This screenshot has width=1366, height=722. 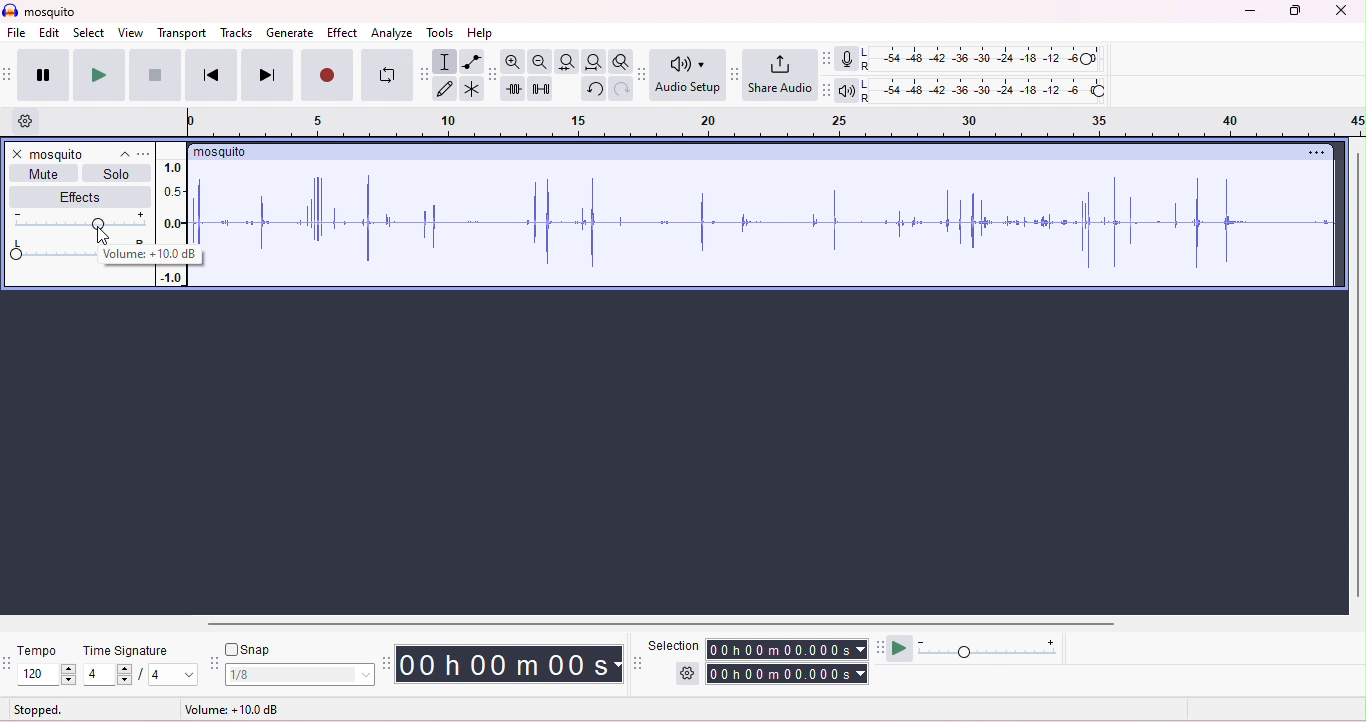 I want to click on selection options, so click(x=687, y=673).